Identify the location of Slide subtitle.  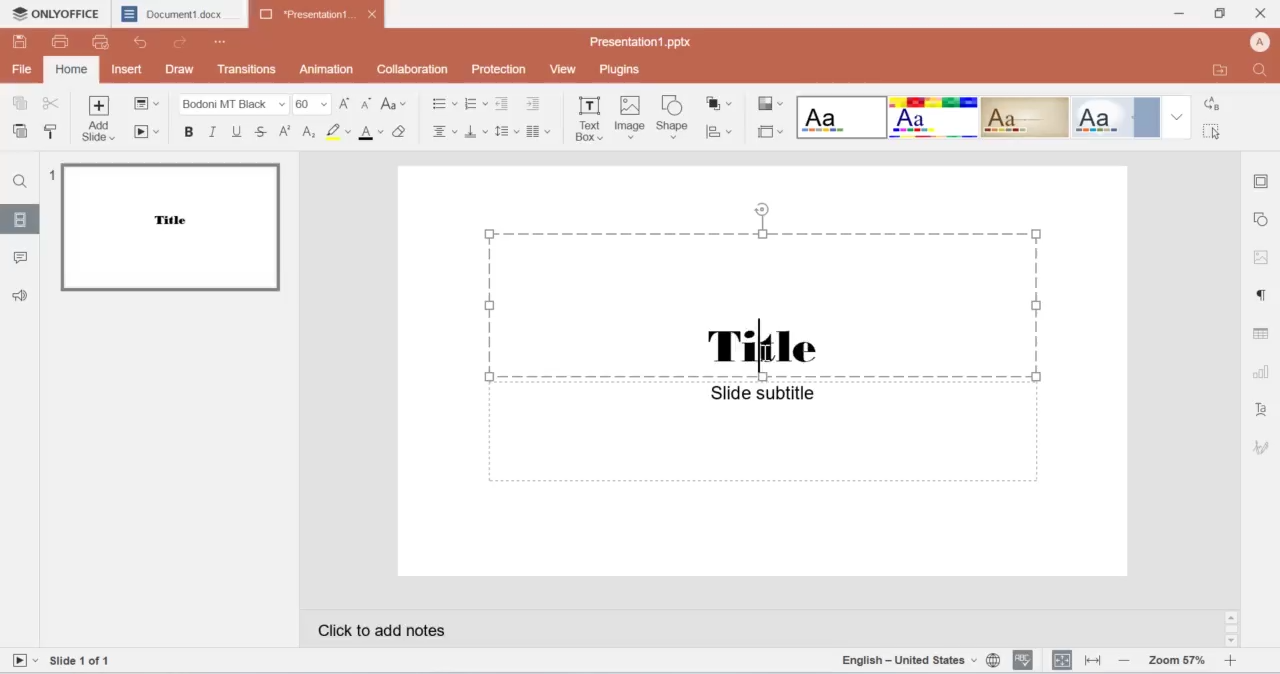
(759, 393).